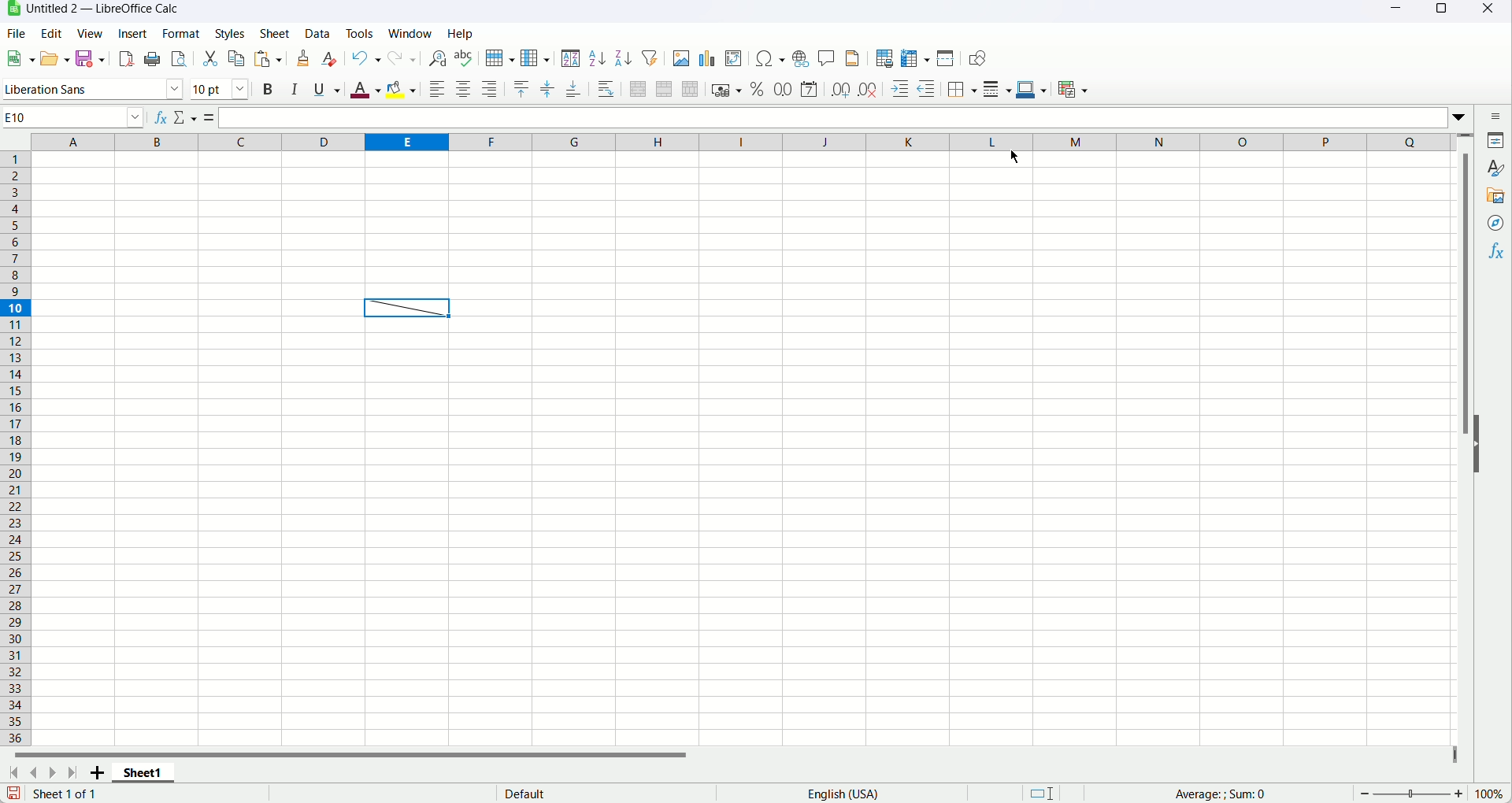  Describe the element at coordinates (1495, 198) in the screenshot. I see `Gallery` at that location.